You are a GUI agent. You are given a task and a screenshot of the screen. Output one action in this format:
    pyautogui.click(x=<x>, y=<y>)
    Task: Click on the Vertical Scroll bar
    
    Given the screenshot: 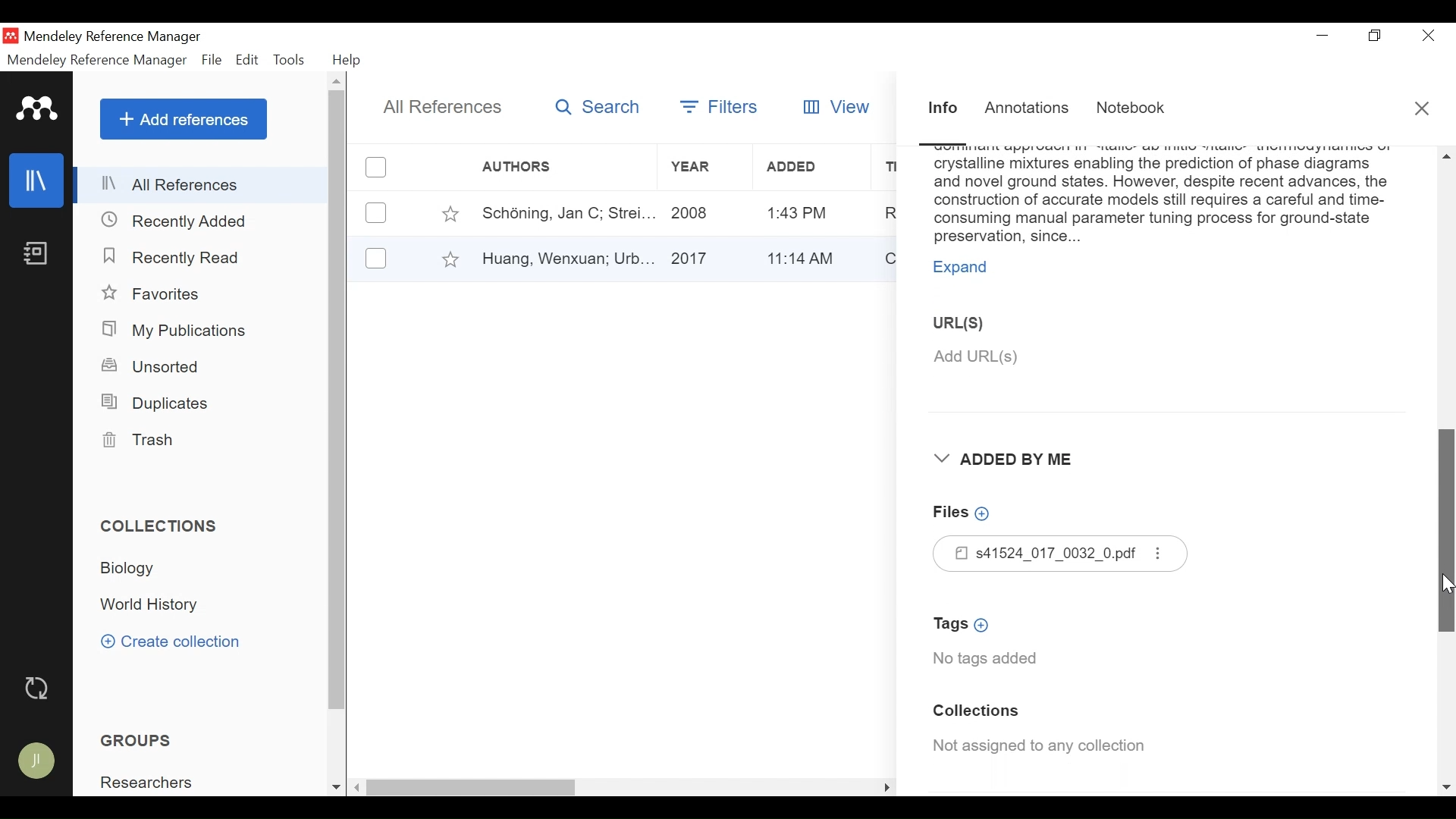 What is the action you would take?
    pyautogui.click(x=1447, y=529)
    